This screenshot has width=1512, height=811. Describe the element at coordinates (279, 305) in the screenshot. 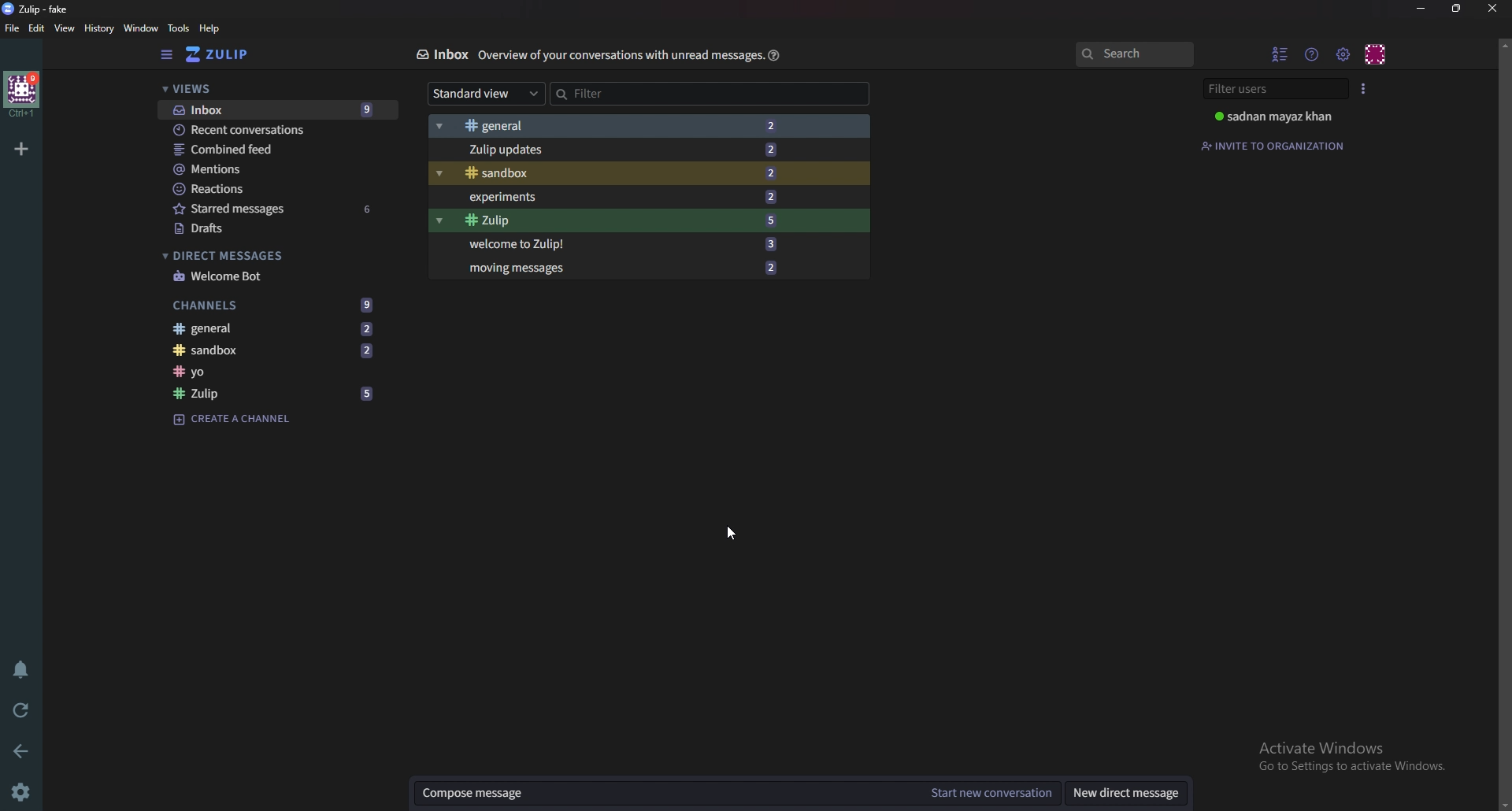

I see `Channels` at that location.